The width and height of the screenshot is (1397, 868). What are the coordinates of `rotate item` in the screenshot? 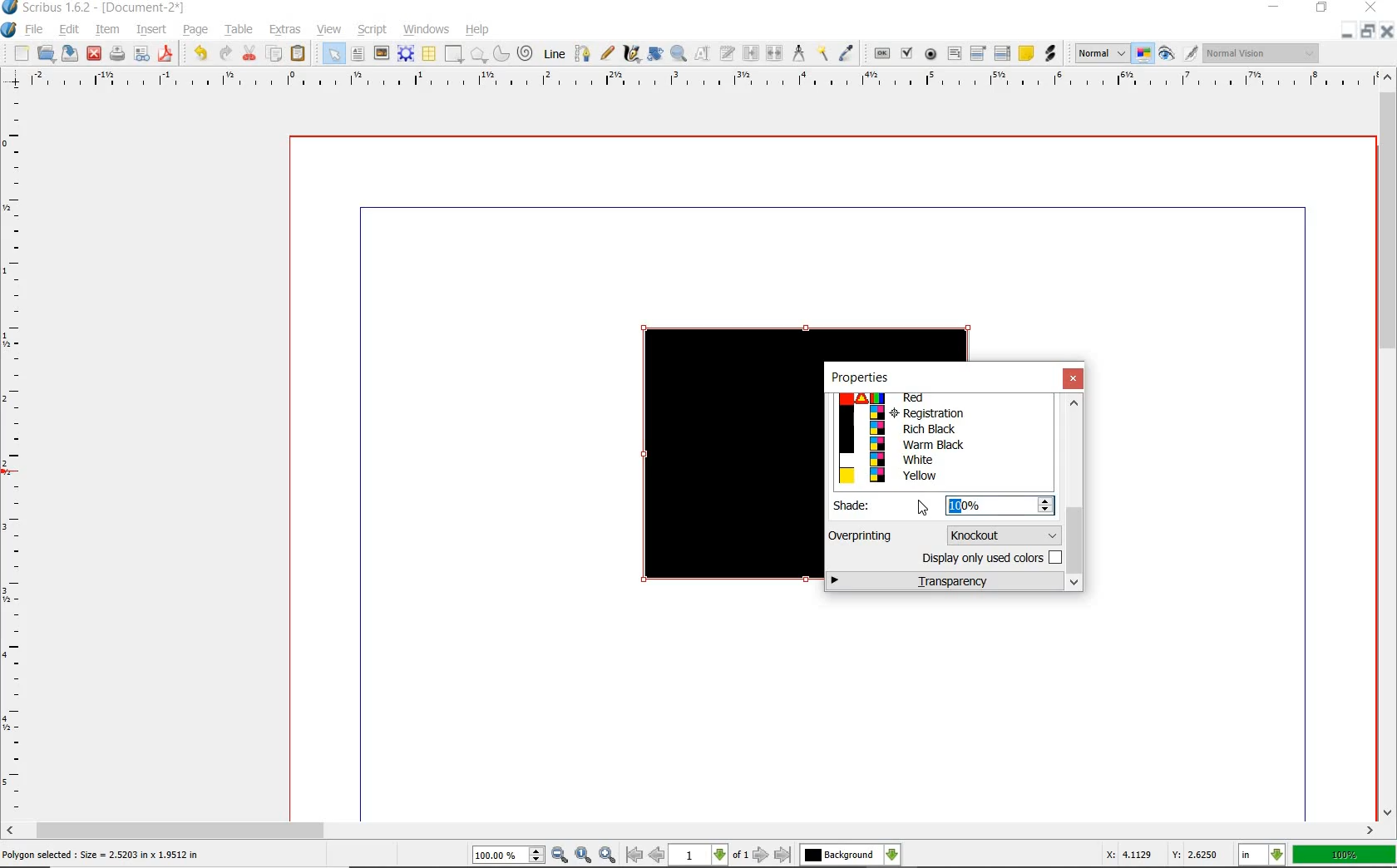 It's located at (656, 53).